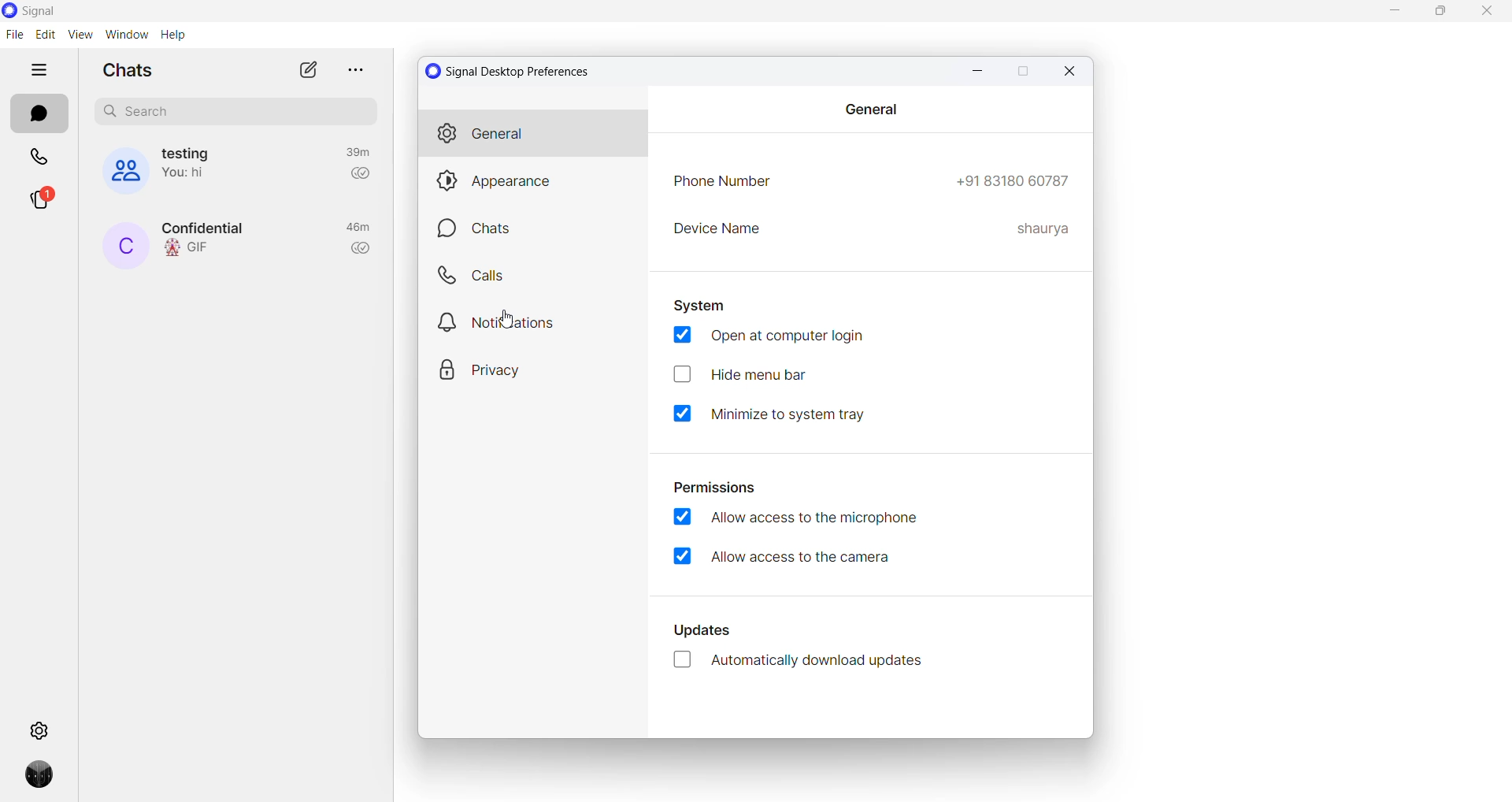 This screenshot has height=802, width=1512. Describe the element at coordinates (358, 228) in the screenshot. I see `last active time` at that location.